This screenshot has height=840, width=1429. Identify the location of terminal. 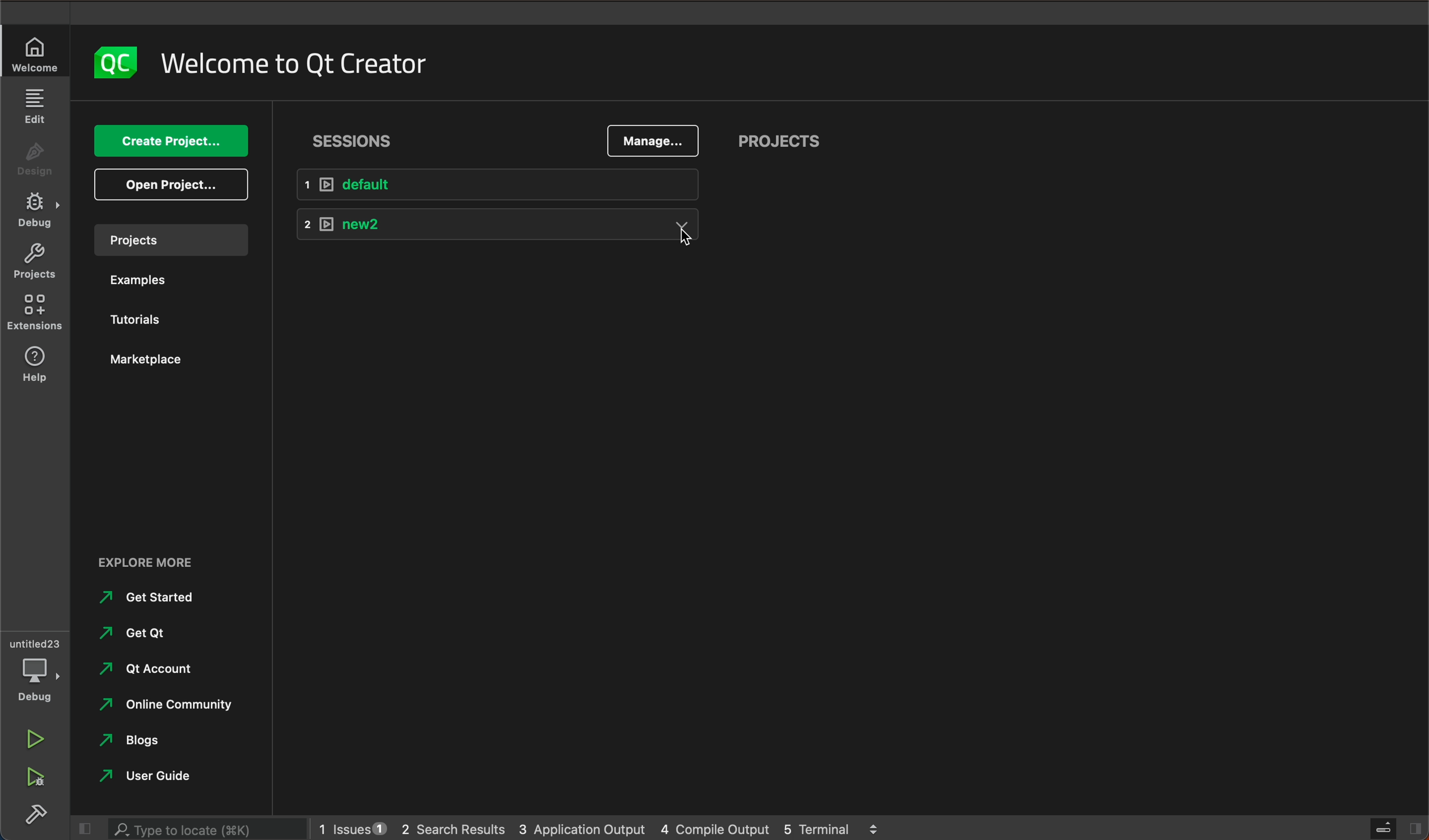
(834, 826).